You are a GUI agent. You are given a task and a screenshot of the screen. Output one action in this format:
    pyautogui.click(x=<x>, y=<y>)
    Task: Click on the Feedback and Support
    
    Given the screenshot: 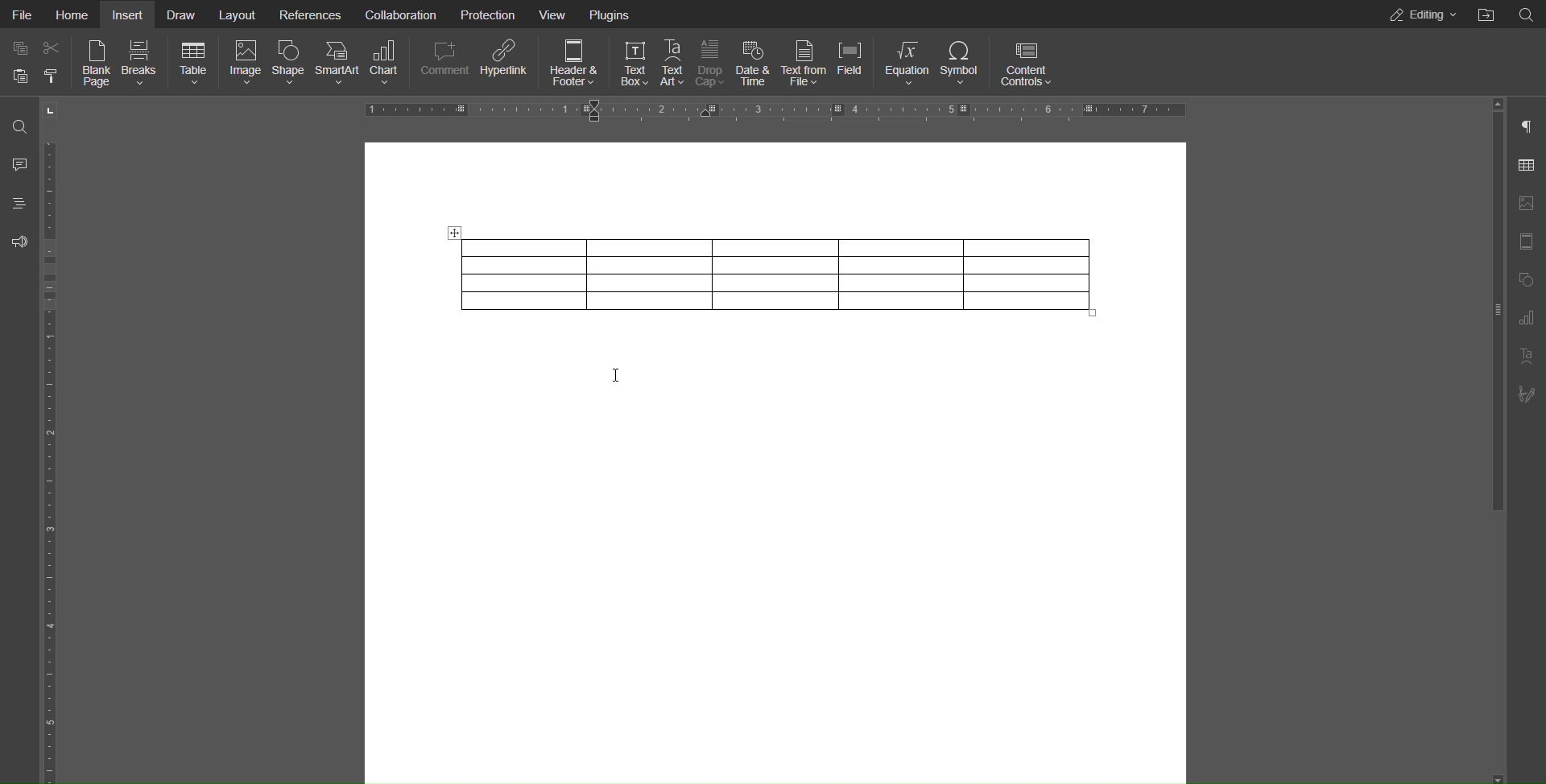 What is the action you would take?
    pyautogui.click(x=19, y=237)
    